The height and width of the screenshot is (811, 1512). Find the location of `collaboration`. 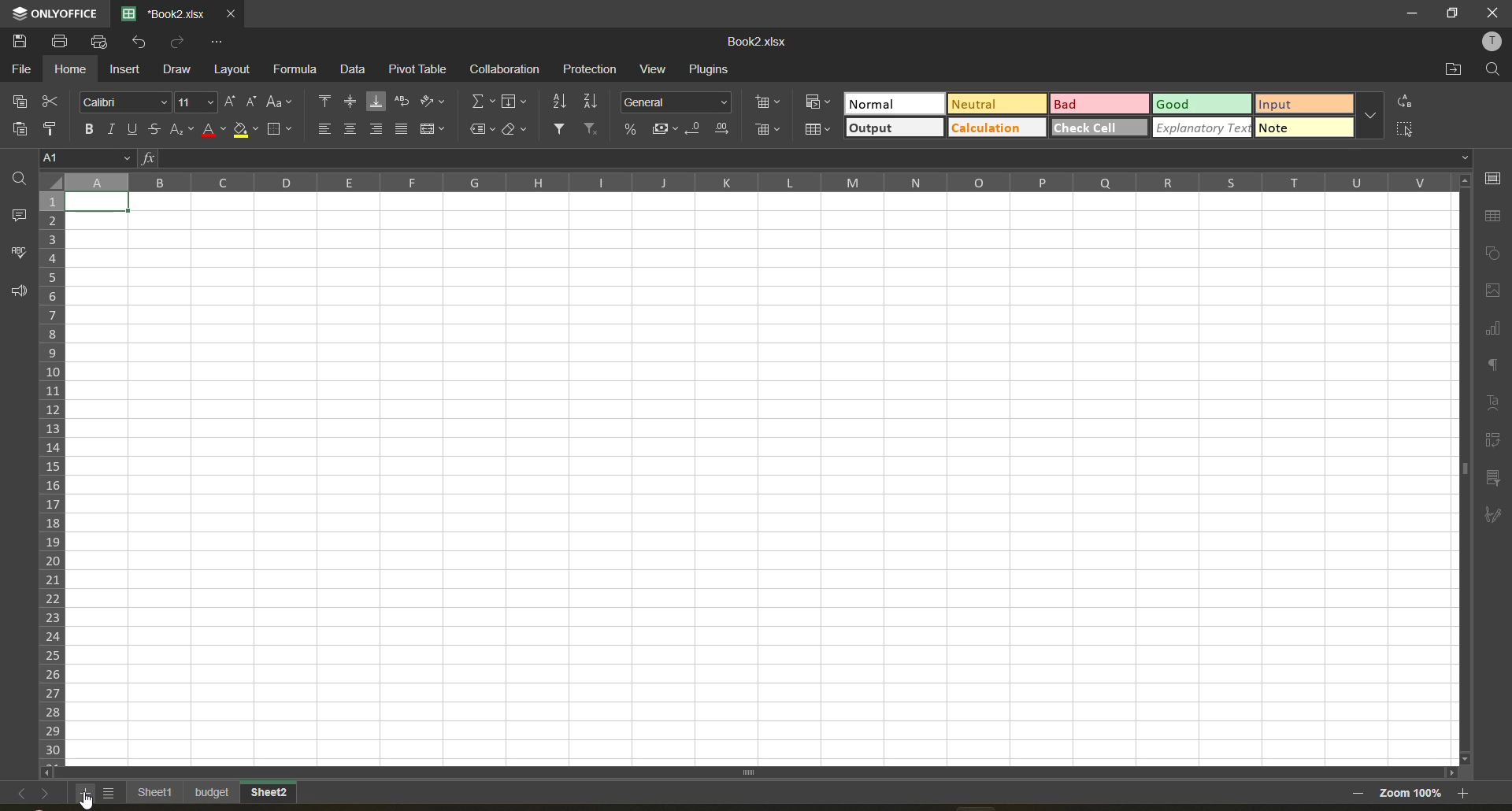

collaboration is located at coordinates (505, 68).